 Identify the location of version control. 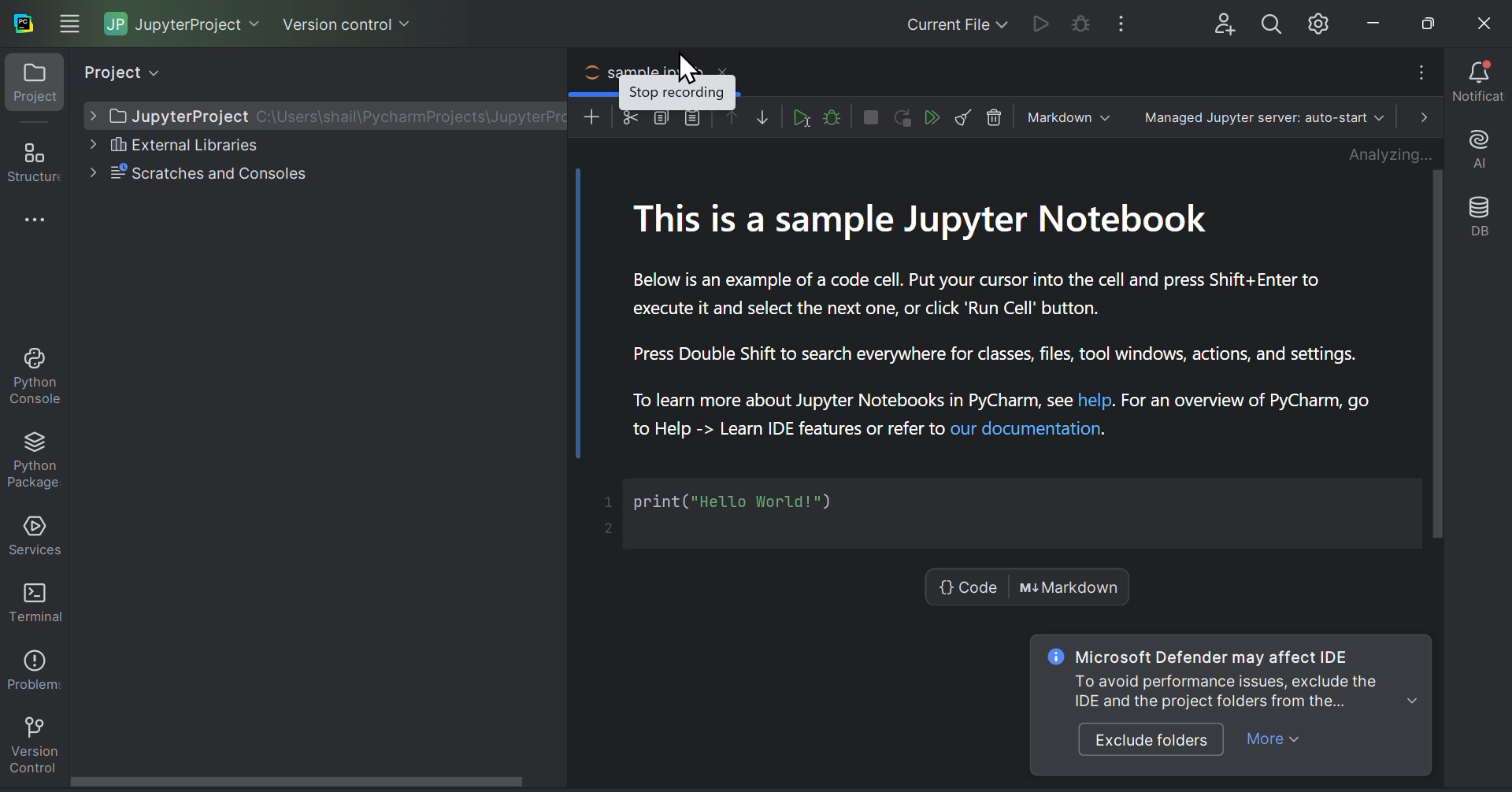
(344, 27).